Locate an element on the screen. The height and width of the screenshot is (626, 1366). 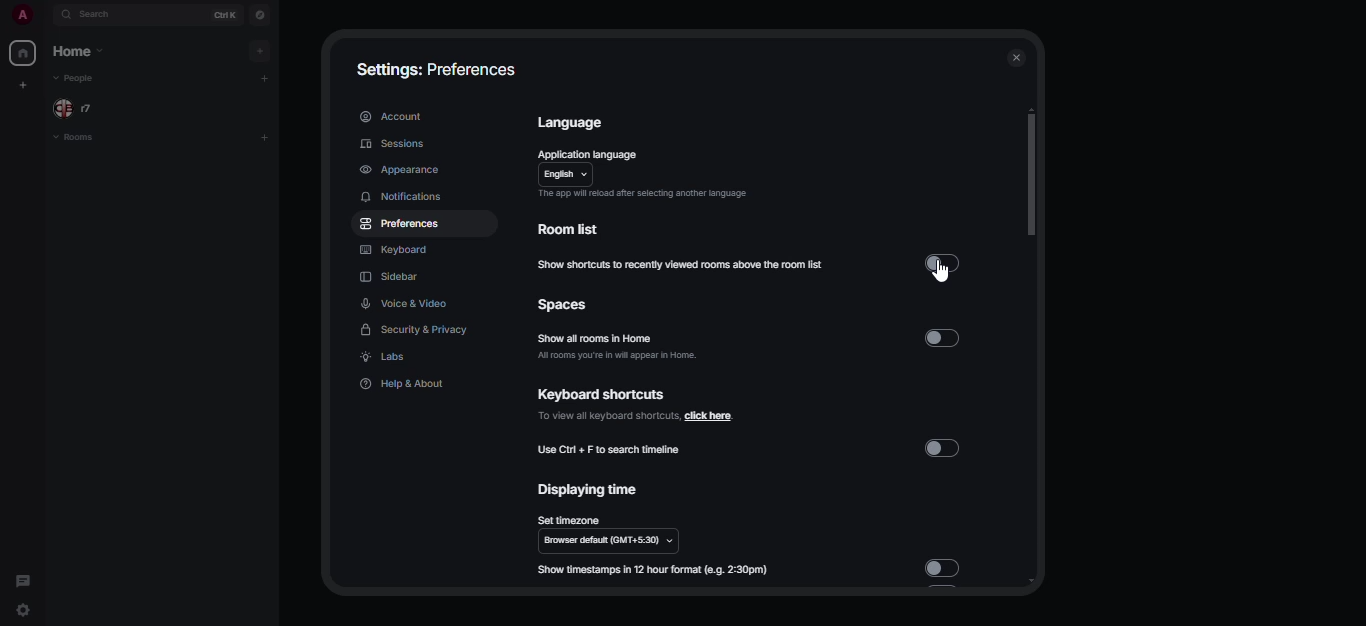
account is located at coordinates (393, 114).